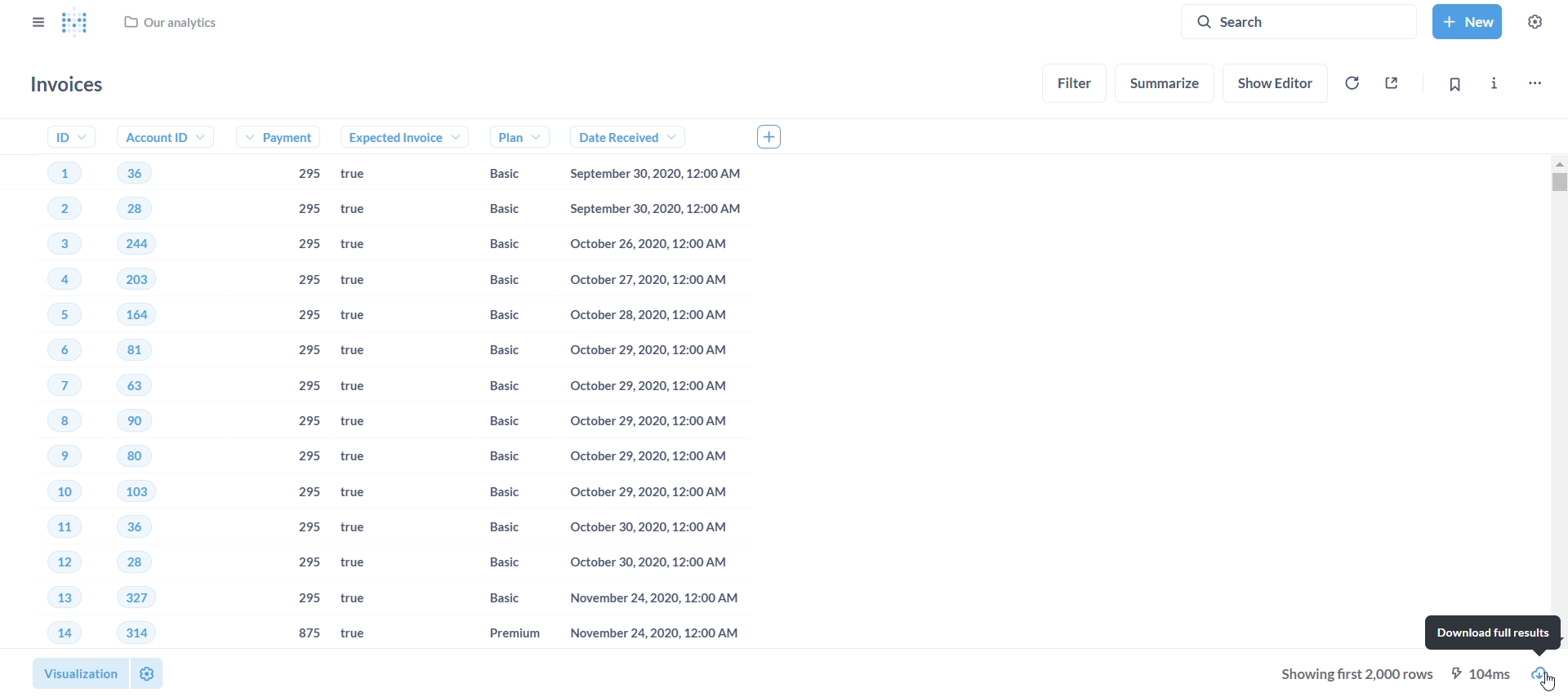 The height and width of the screenshot is (697, 1568). Describe the element at coordinates (308, 527) in the screenshot. I see `295` at that location.